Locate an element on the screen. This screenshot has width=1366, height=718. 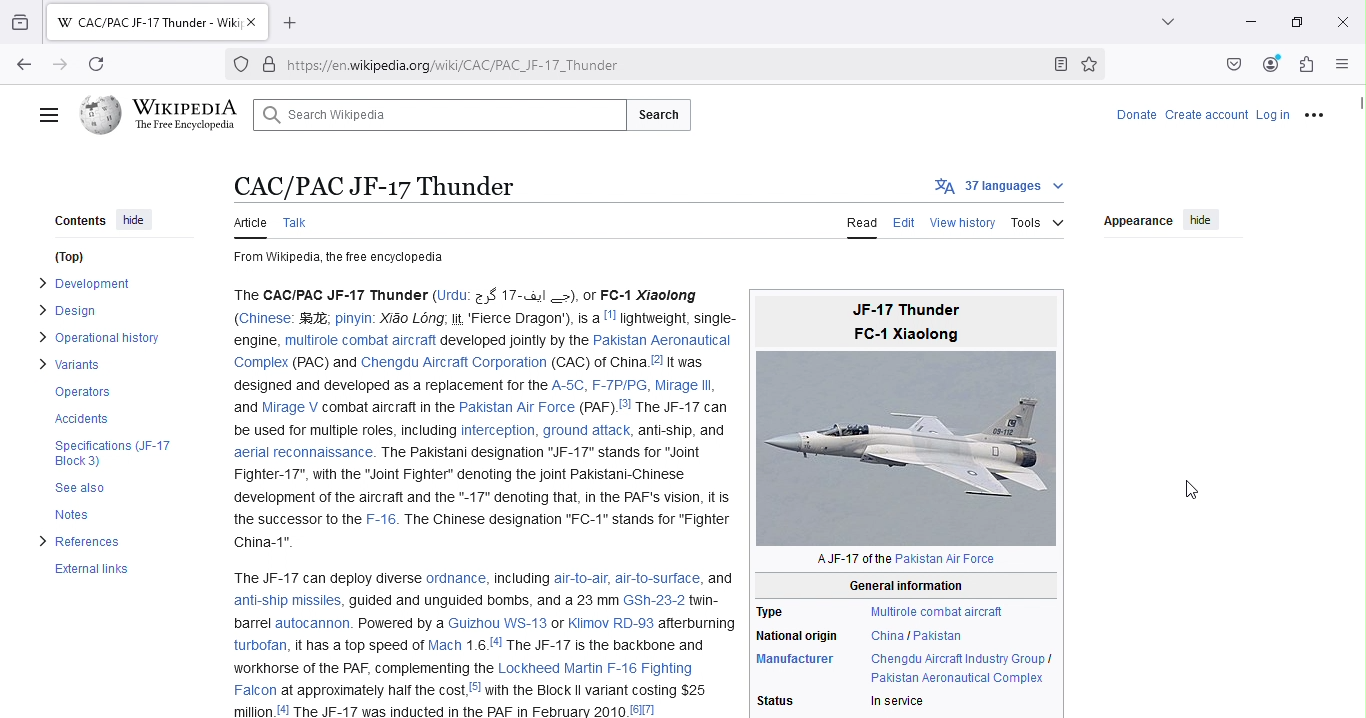
wikipedia menu is located at coordinates (47, 109).